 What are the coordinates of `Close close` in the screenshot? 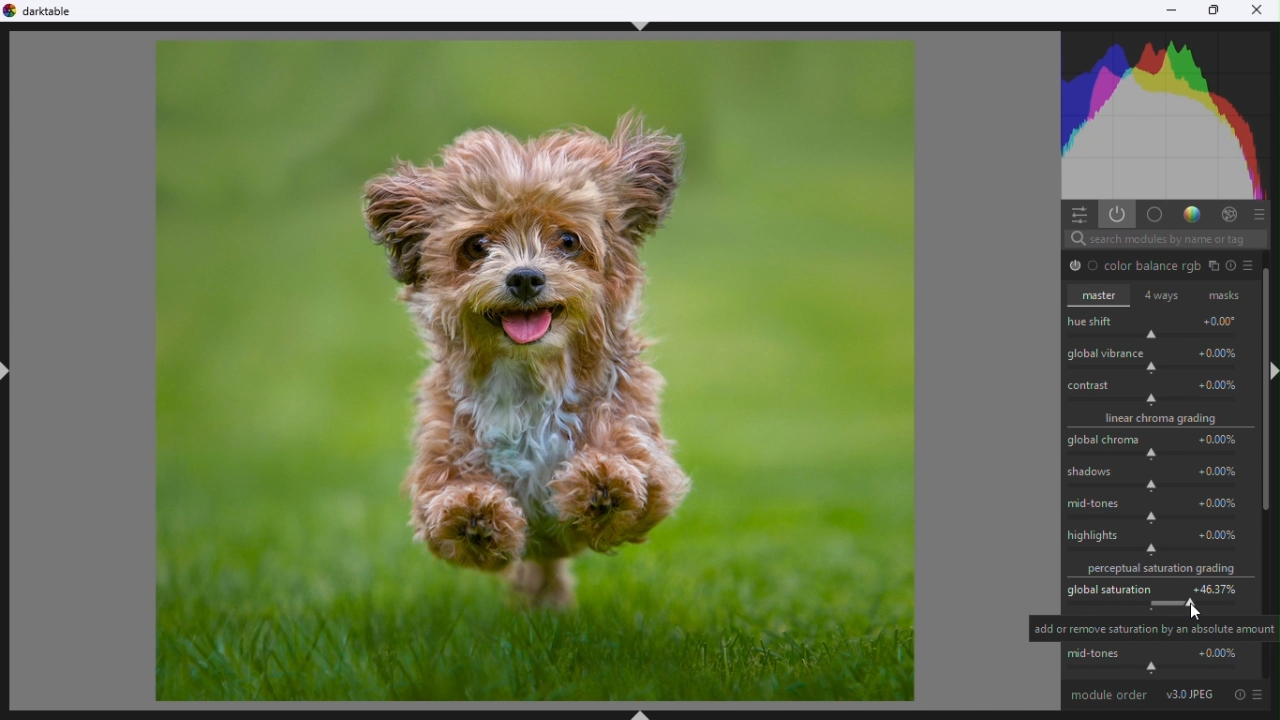 It's located at (1260, 10).